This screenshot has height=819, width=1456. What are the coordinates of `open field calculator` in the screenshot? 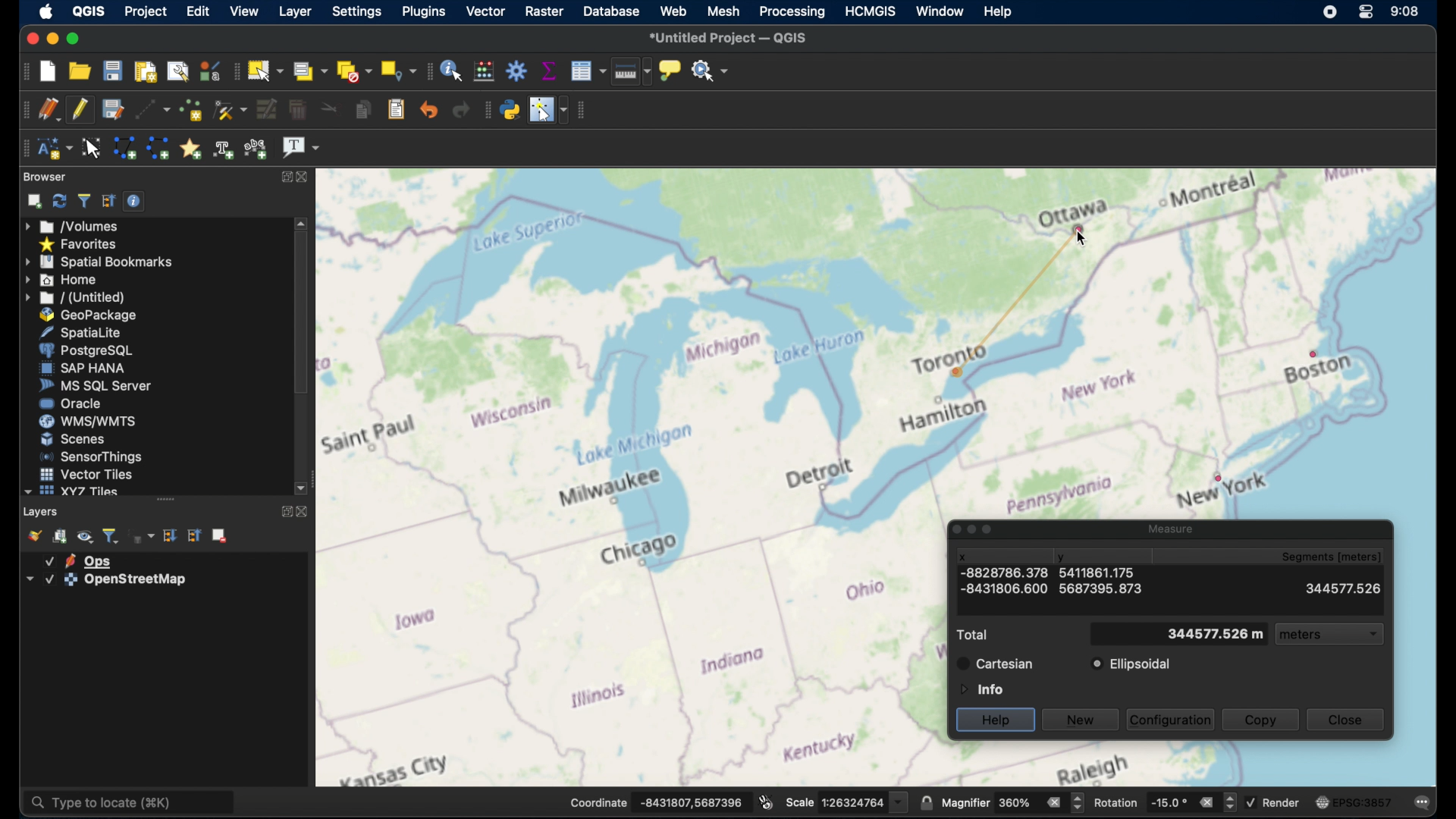 It's located at (486, 70).